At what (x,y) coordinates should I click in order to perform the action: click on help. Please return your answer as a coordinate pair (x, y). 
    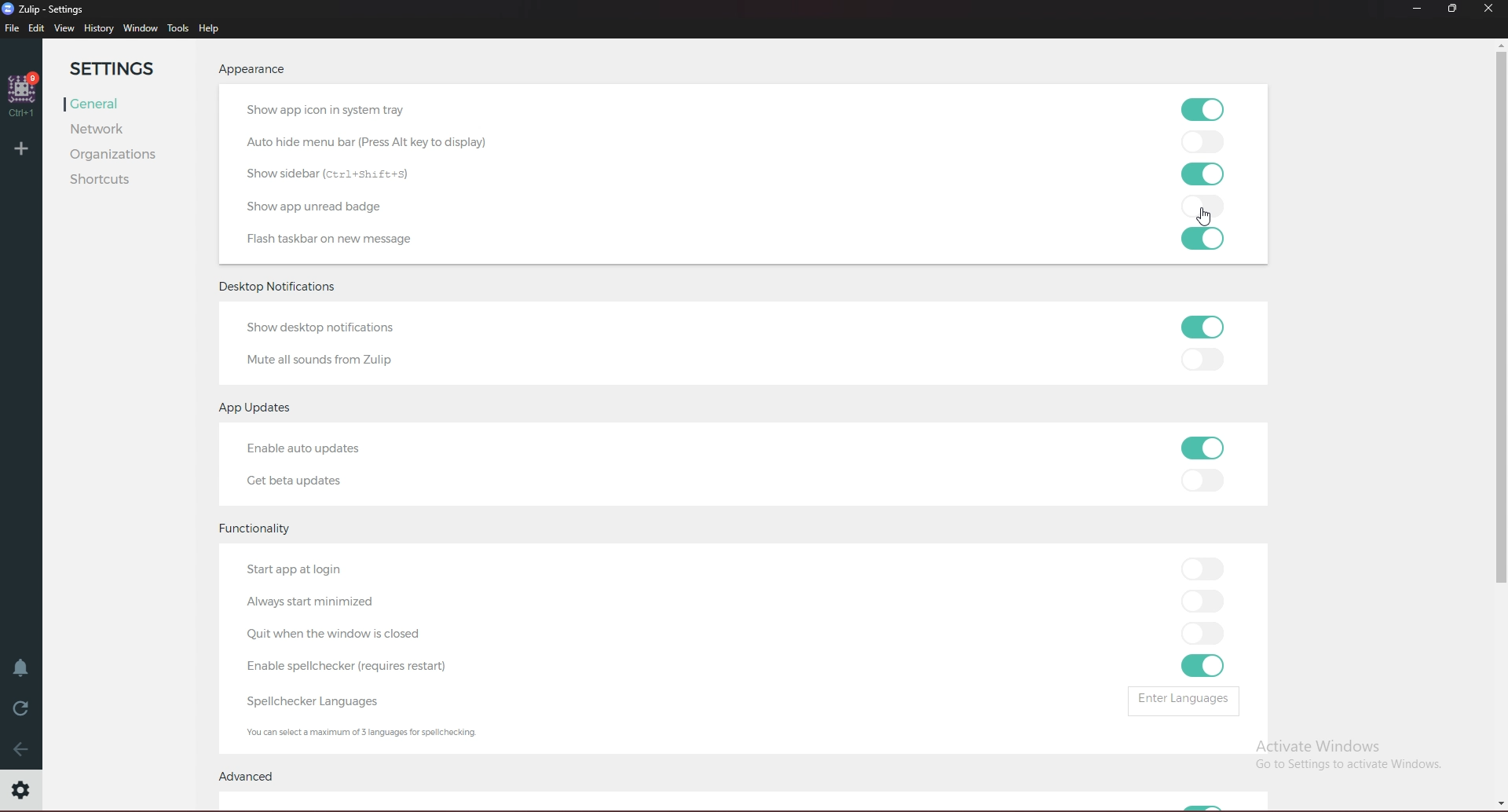
    Looking at the image, I should click on (213, 28).